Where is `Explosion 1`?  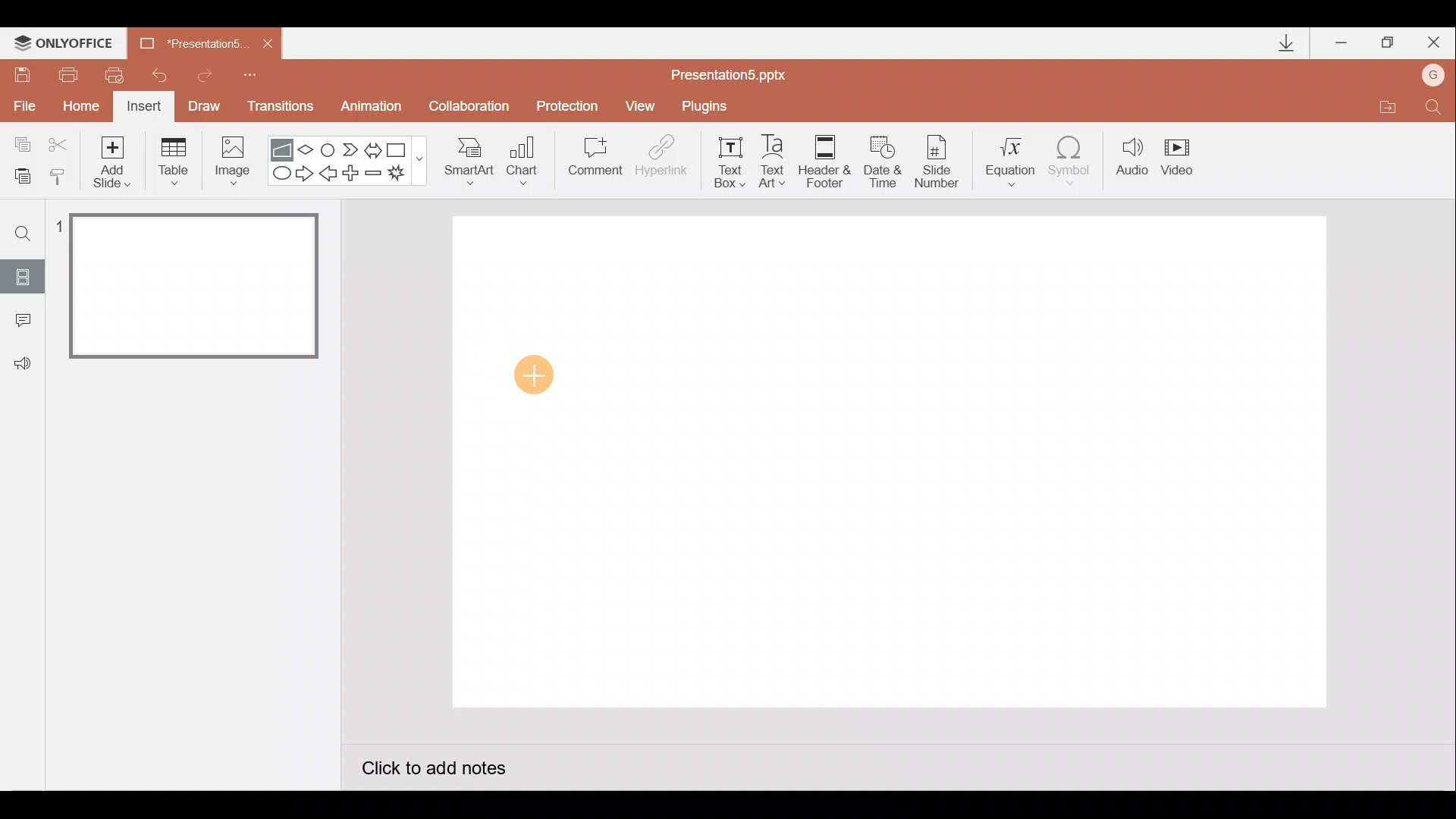 Explosion 1 is located at coordinates (406, 175).